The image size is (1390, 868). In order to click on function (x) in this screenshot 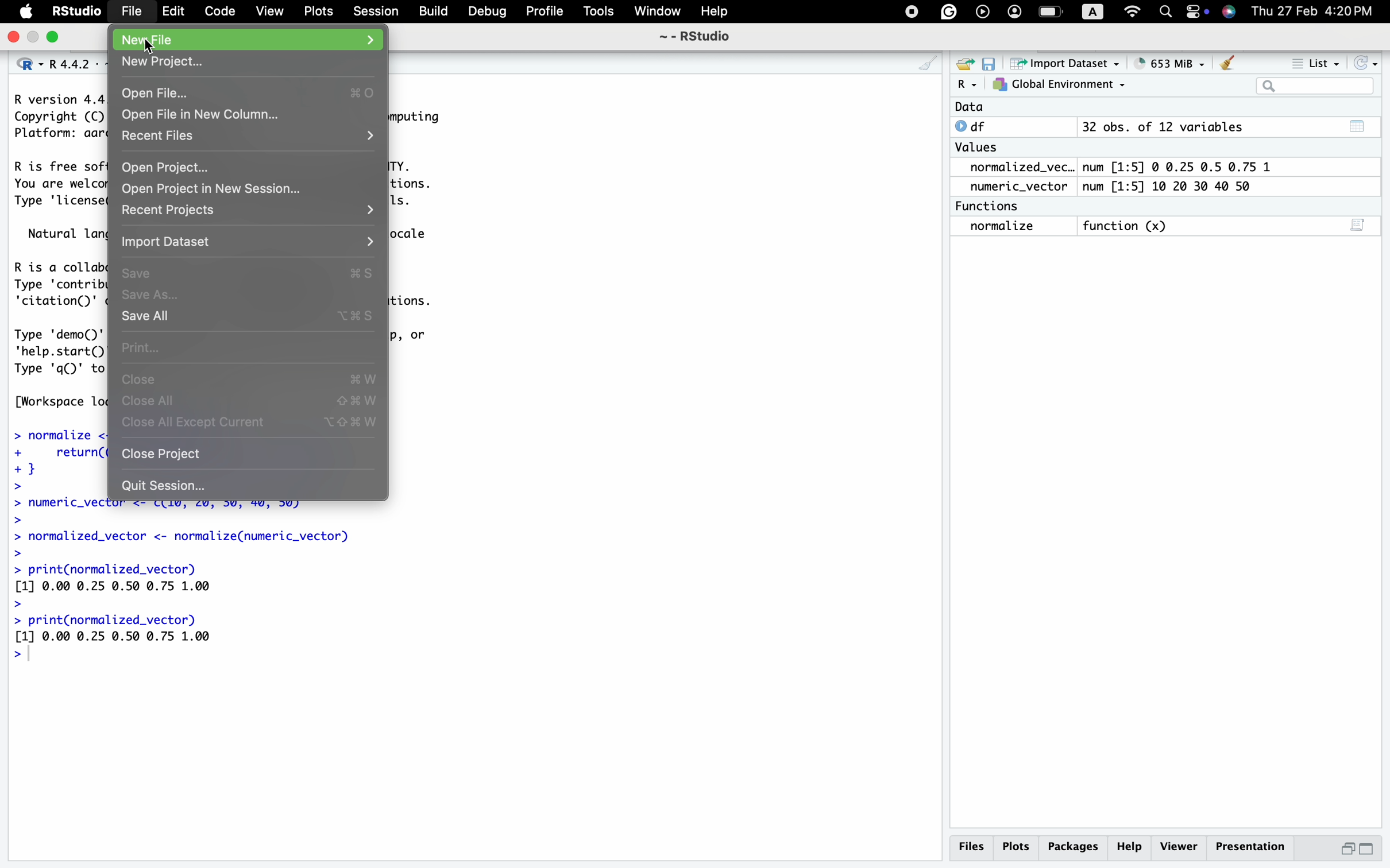, I will do `click(1129, 227)`.